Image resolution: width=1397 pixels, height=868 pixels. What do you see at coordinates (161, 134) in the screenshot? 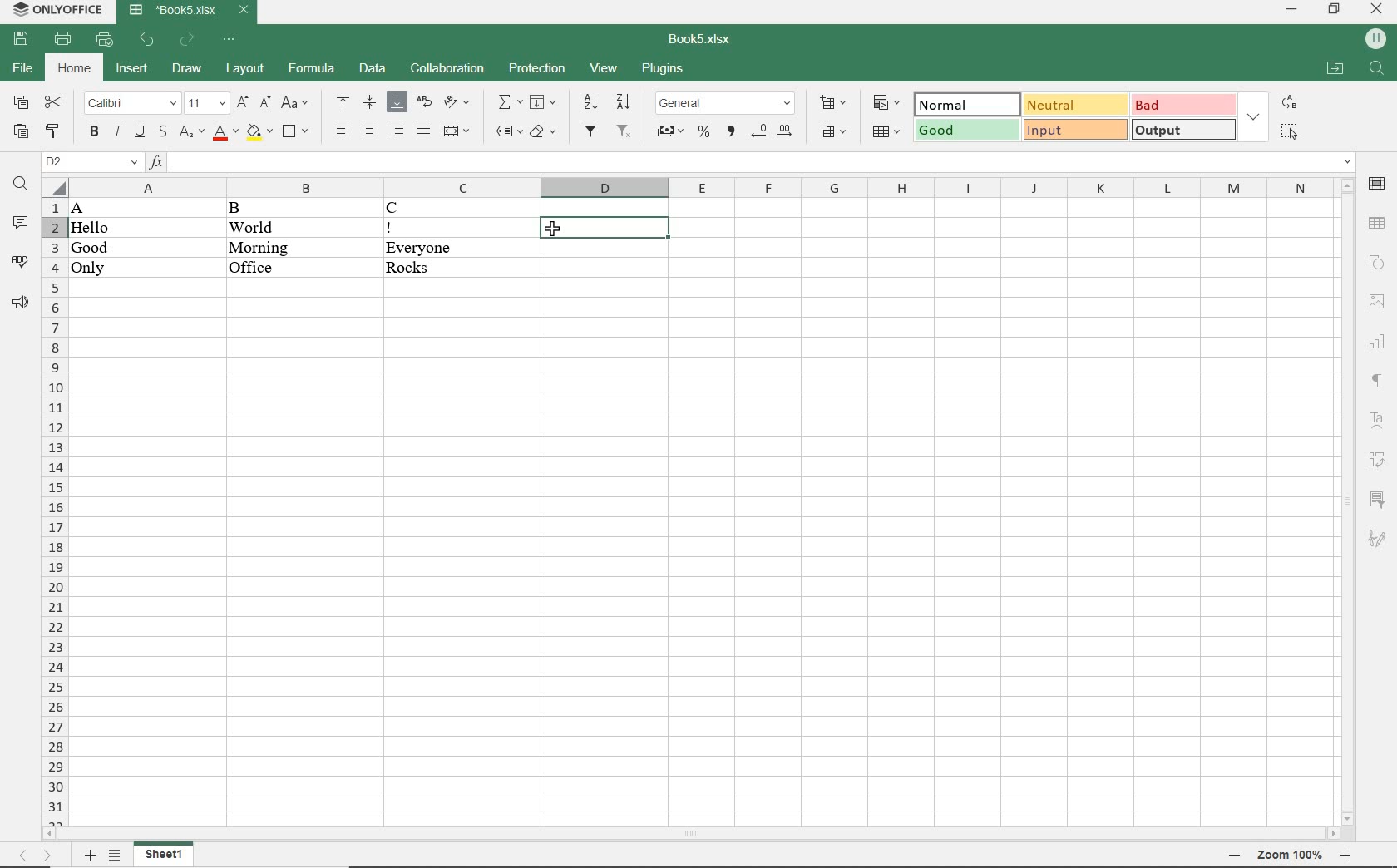
I see `strikethrough` at bounding box center [161, 134].